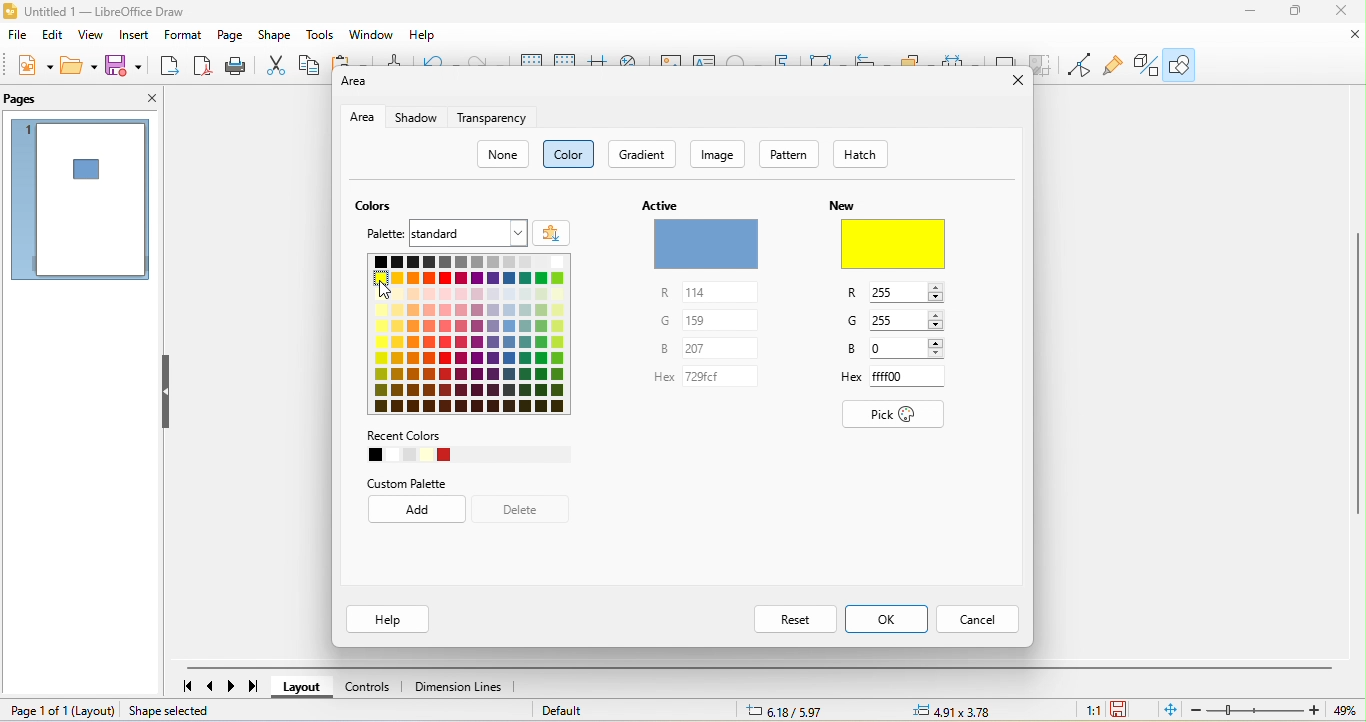  What do you see at coordinates (203, 68) in the screenshot?
I see `export direct as pdf` at bounding box center [203, 68].